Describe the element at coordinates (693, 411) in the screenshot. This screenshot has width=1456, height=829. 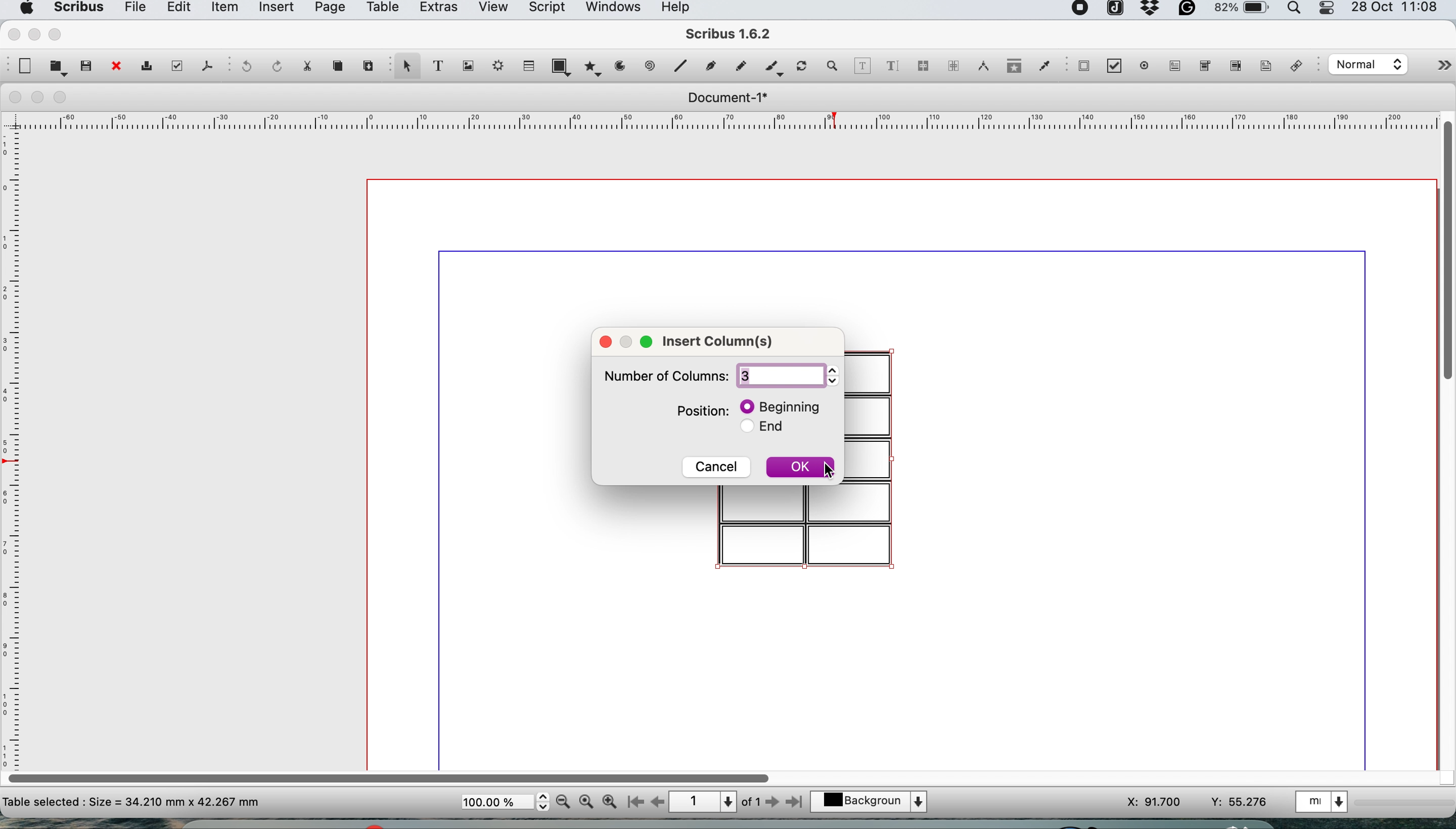
I see `position` at that location.